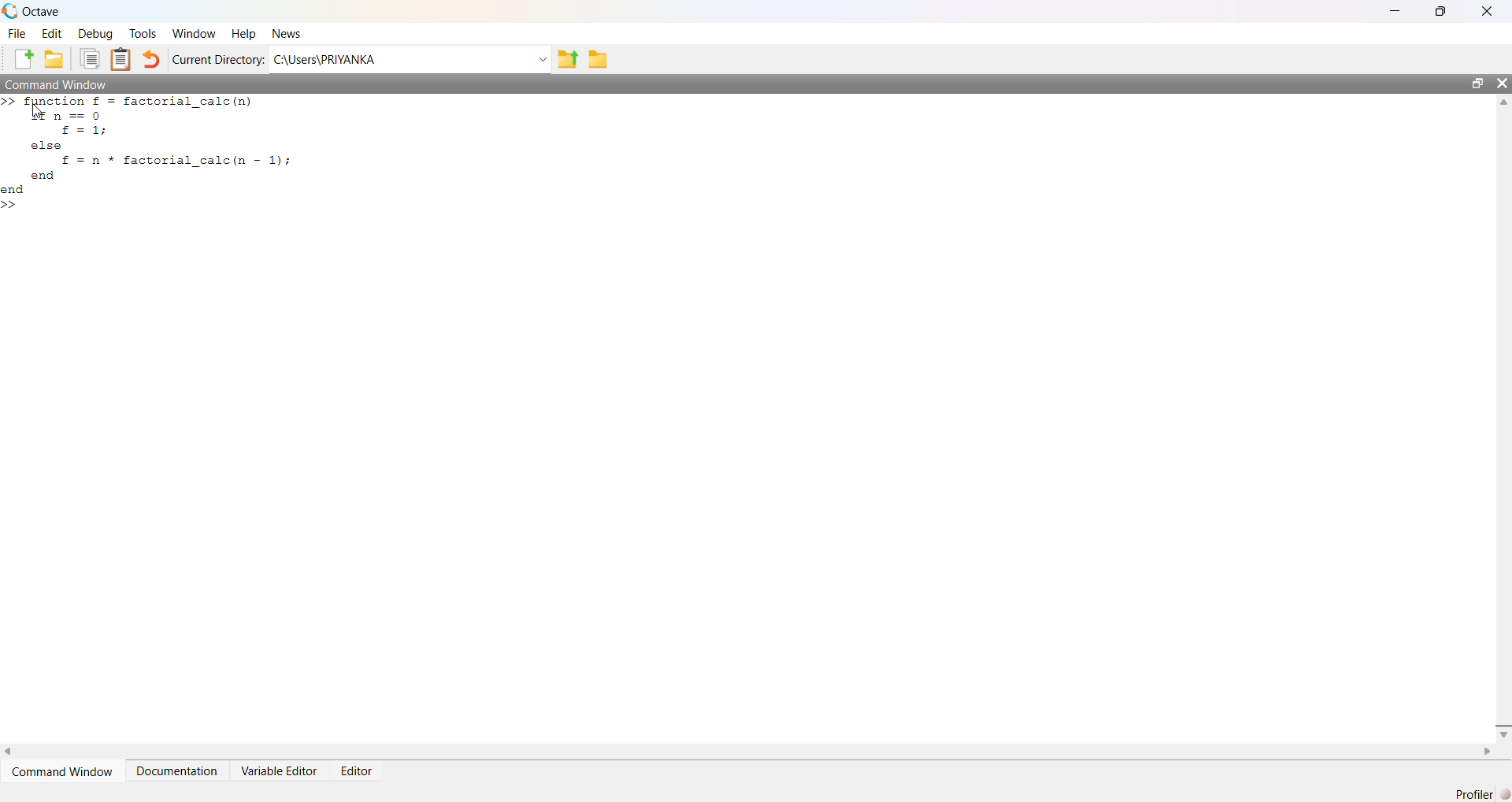 The width and height of the screenshot is (1512, 802). I want to click on window, so click(195, 33).